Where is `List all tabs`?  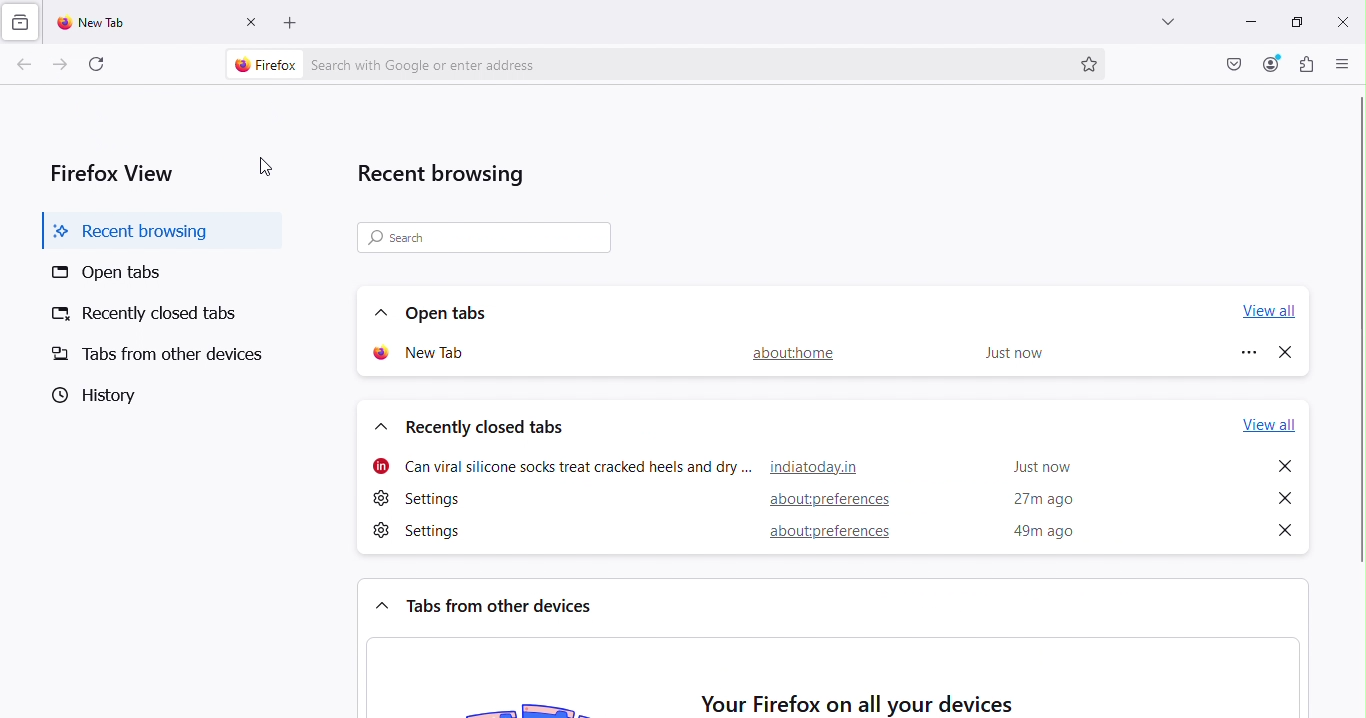 List all tabs is located at coordinates (1163, 22).